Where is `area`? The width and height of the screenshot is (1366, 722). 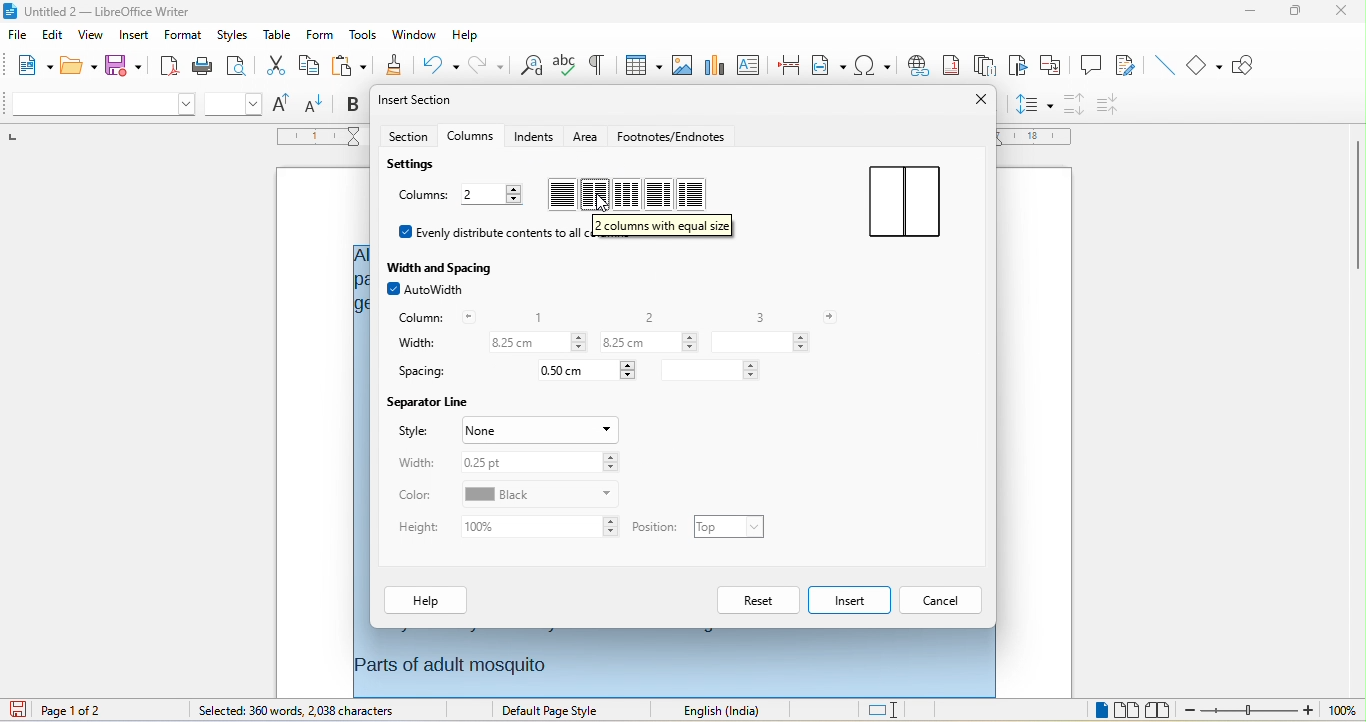
area is located at coordinates (587, 136).